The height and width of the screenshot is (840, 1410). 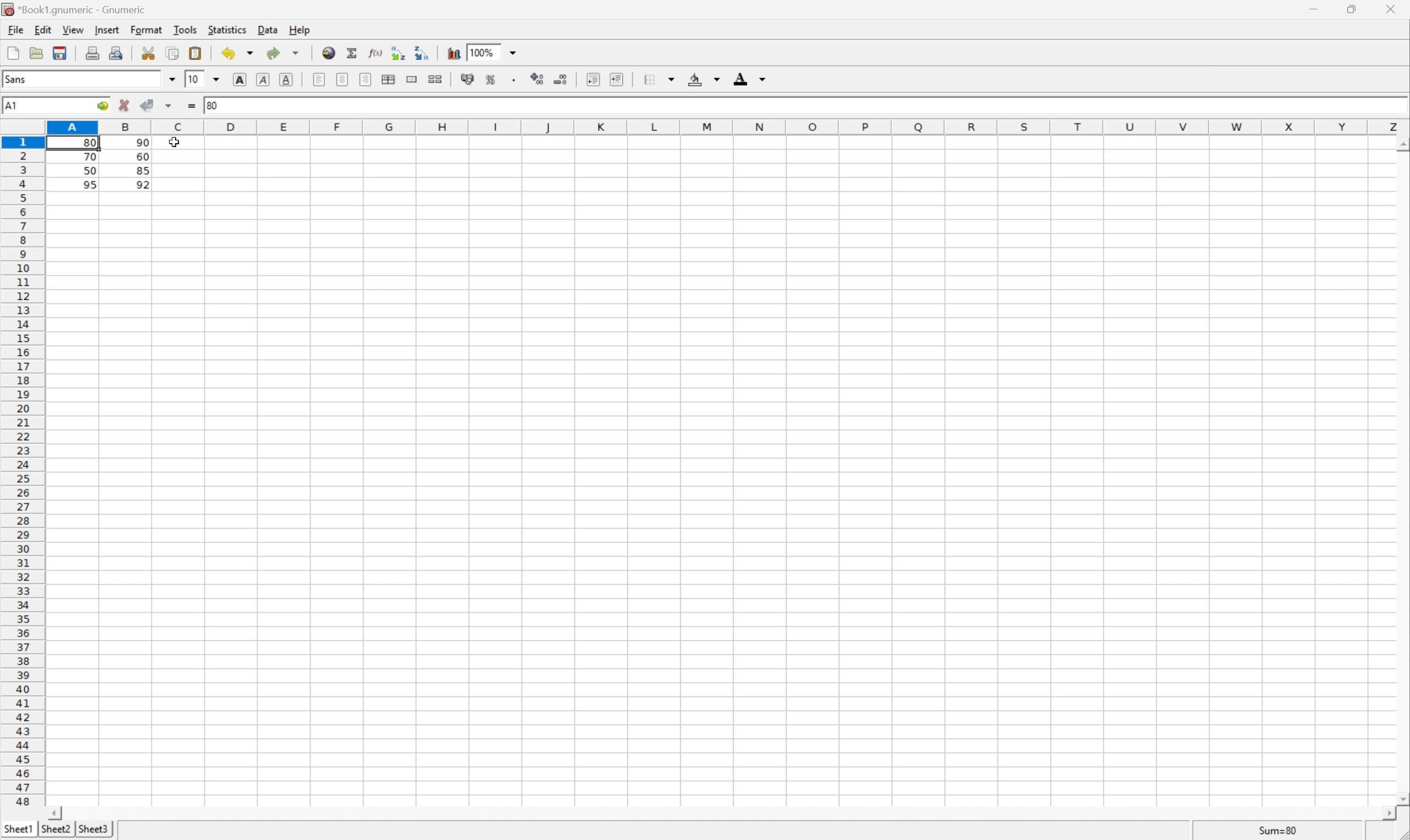 What do you see at coordinates (142, 156) in the screenshot?
I see `60` at bounding box center [142, 156].